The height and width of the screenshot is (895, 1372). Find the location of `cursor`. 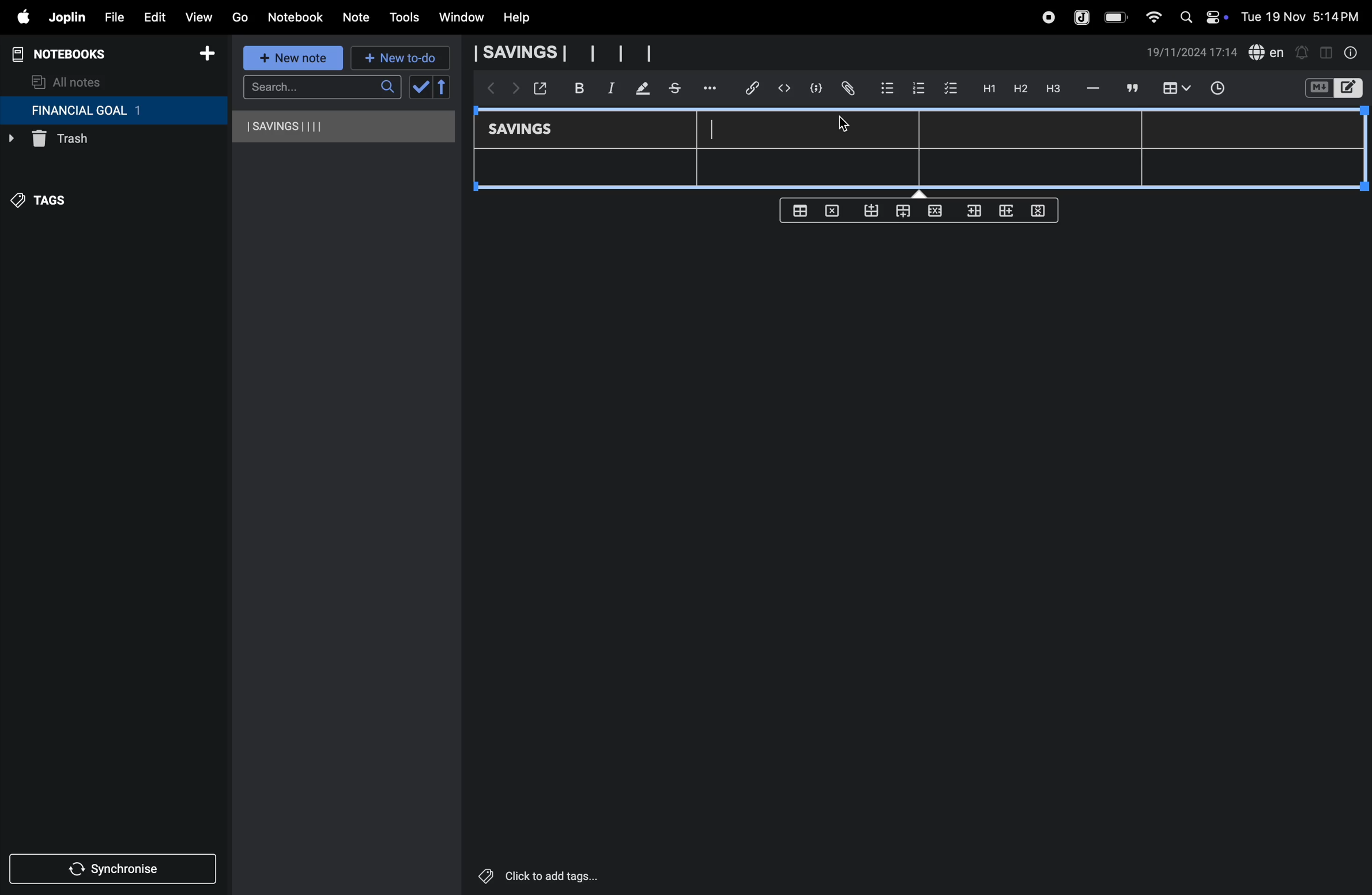

cursor is located at coordinates (720, 130).